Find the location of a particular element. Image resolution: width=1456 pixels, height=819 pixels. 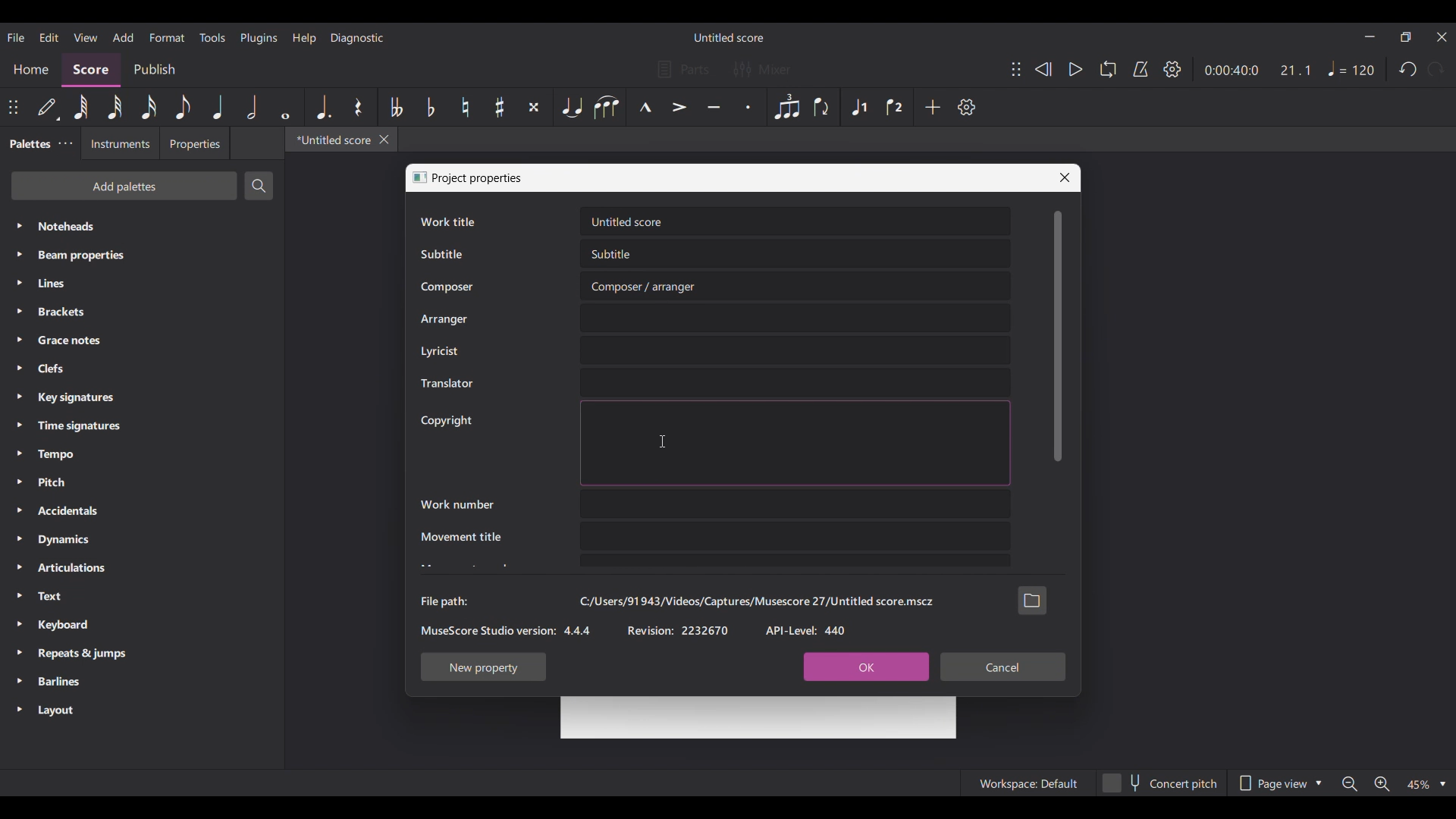

63th menu is located at coordinates (81, 107).